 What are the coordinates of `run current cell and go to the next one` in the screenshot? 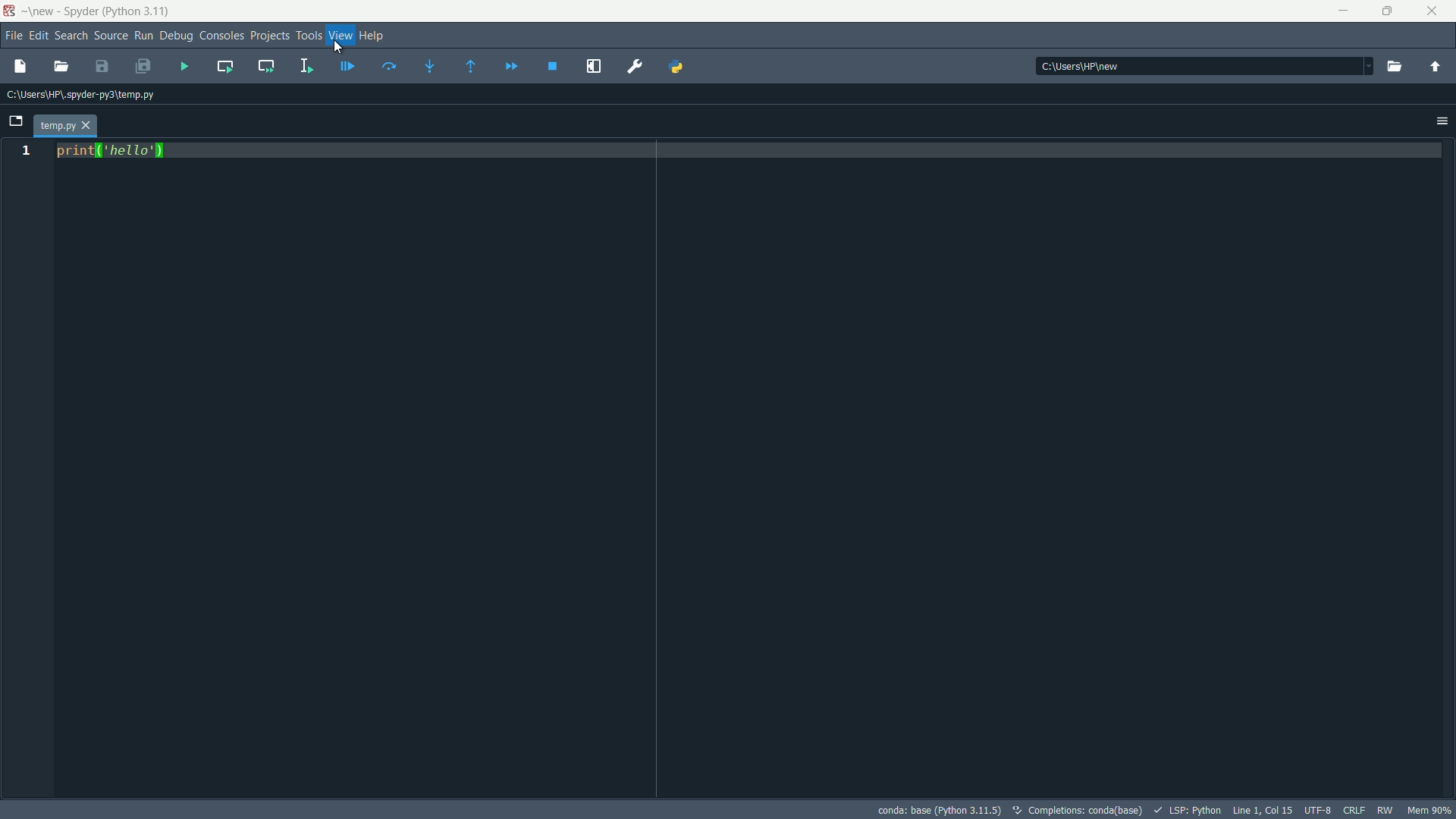 It's located at (267, 65).